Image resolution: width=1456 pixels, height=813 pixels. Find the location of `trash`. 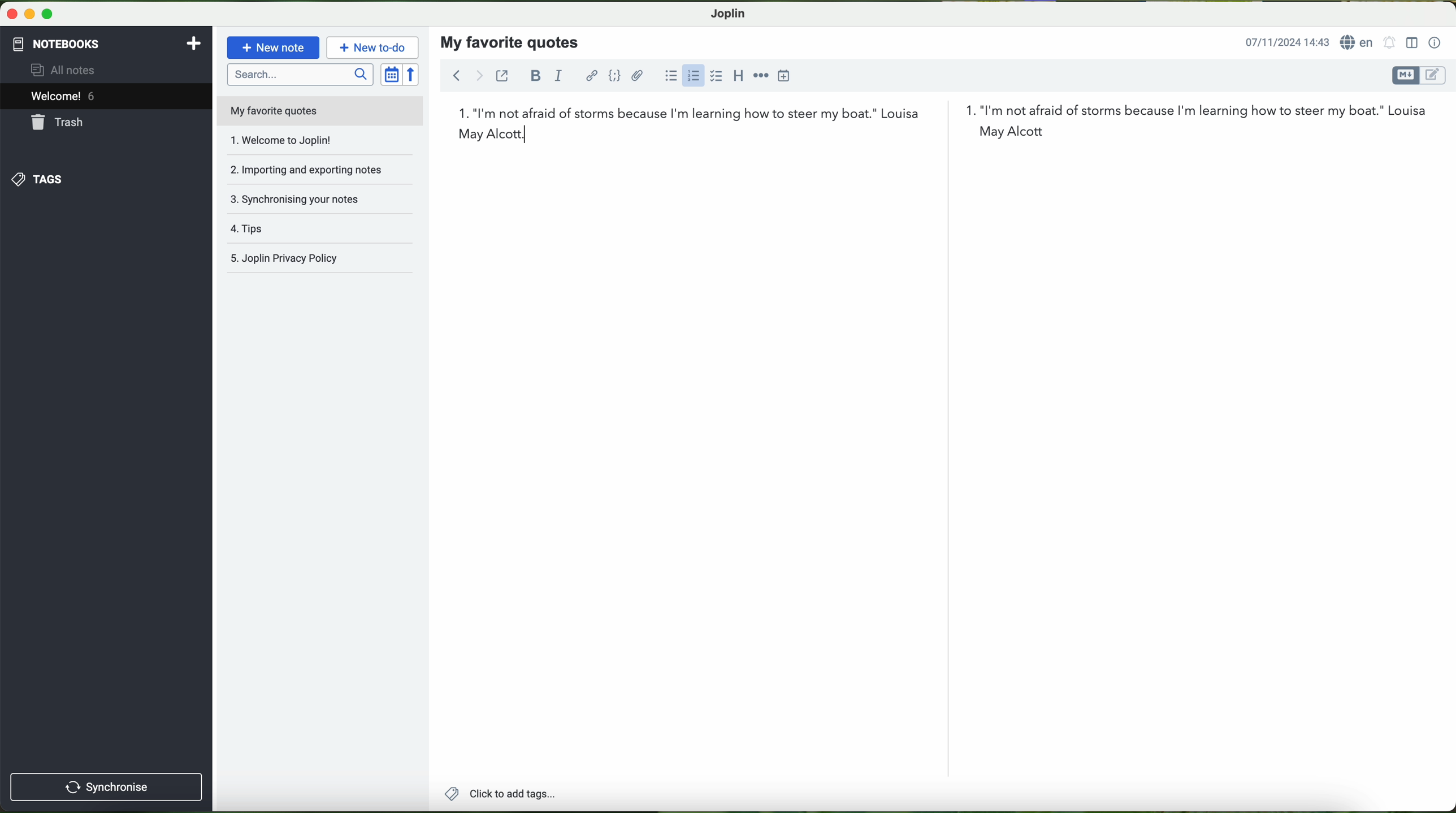

trash is located at coordinates (107, 123).